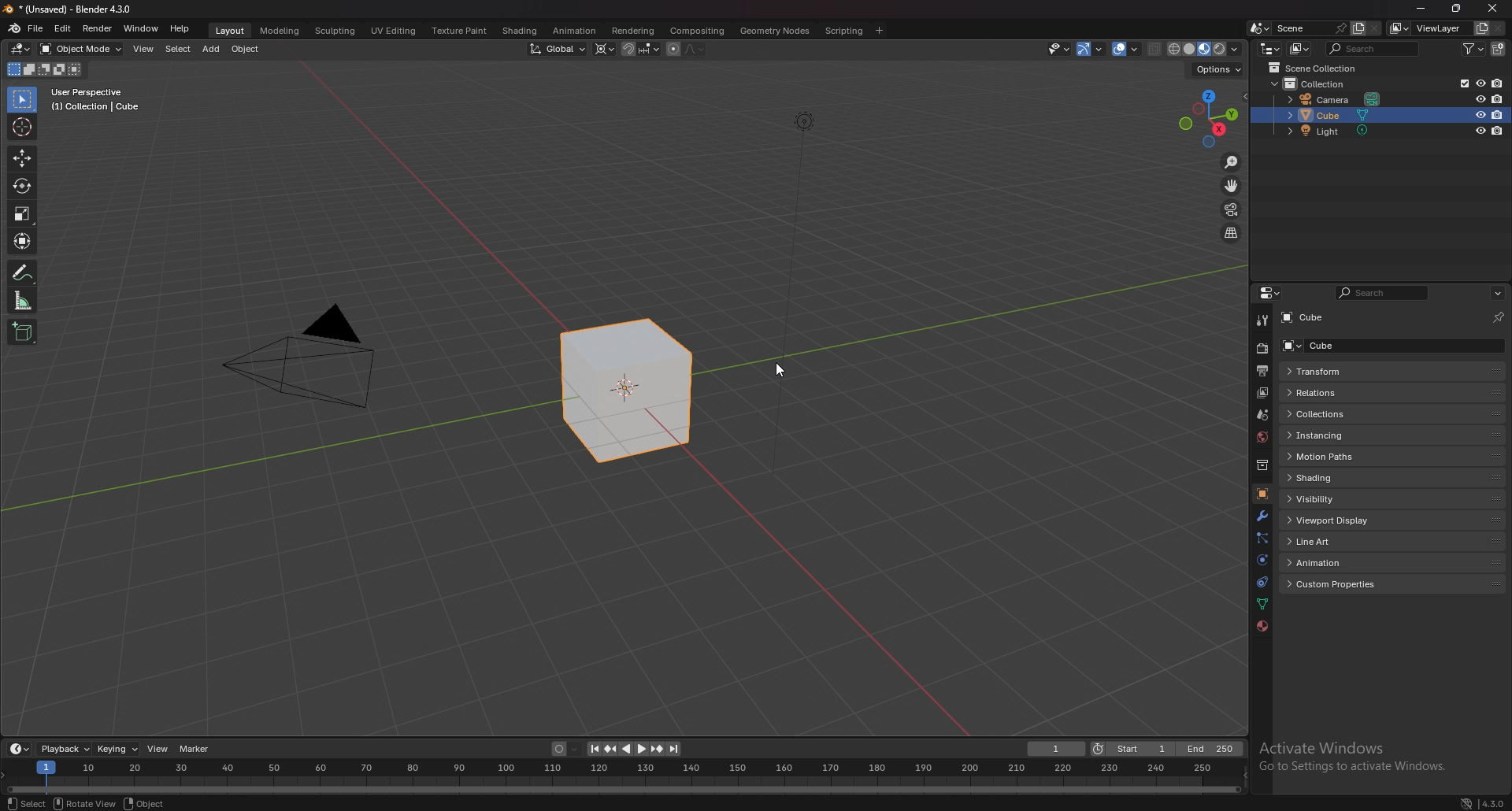 This screenshot has height=811, width=1512. What do you see at coordinates (1337, 457) in the screenshot?
I see `motion paths` at bounding box center [1337, 457].